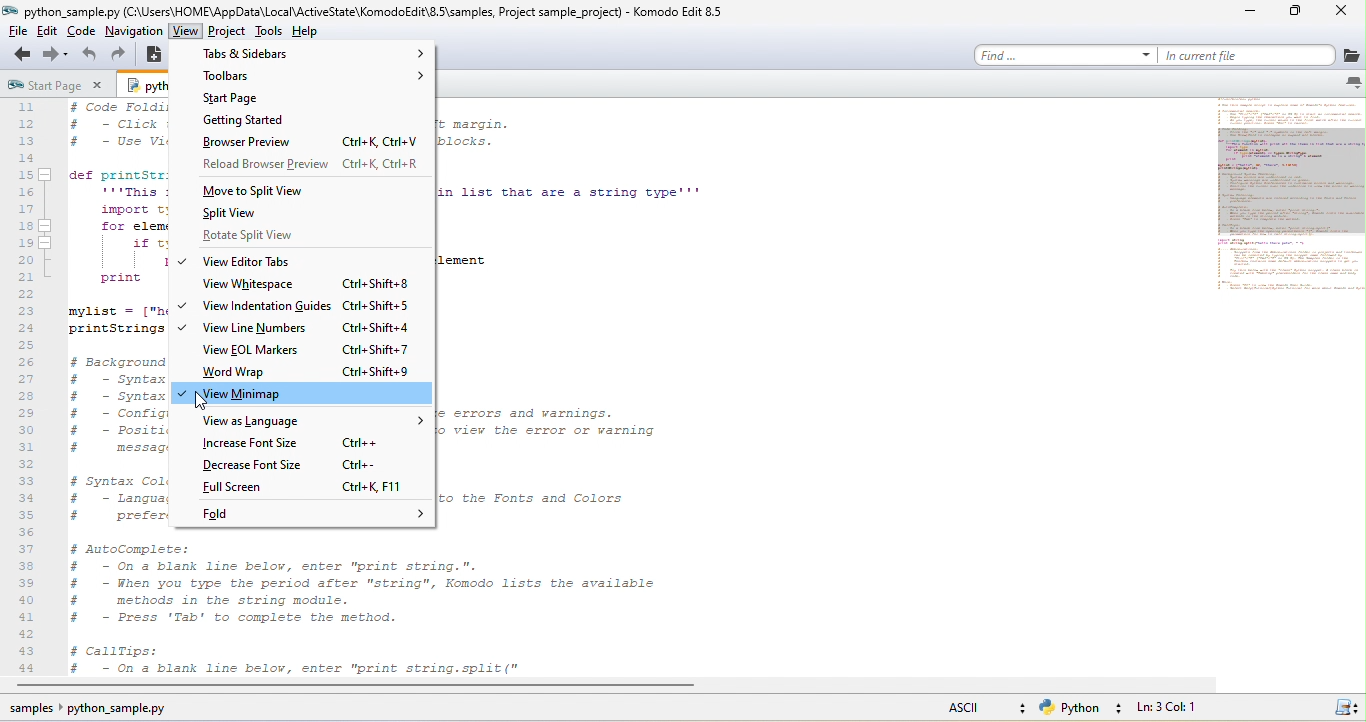 Image resolution: width=1366 pixels, height=722 pixels. Describe the element at coordinates (1185, 709) in the screenshot. I see `ln3, col 1` at that location.